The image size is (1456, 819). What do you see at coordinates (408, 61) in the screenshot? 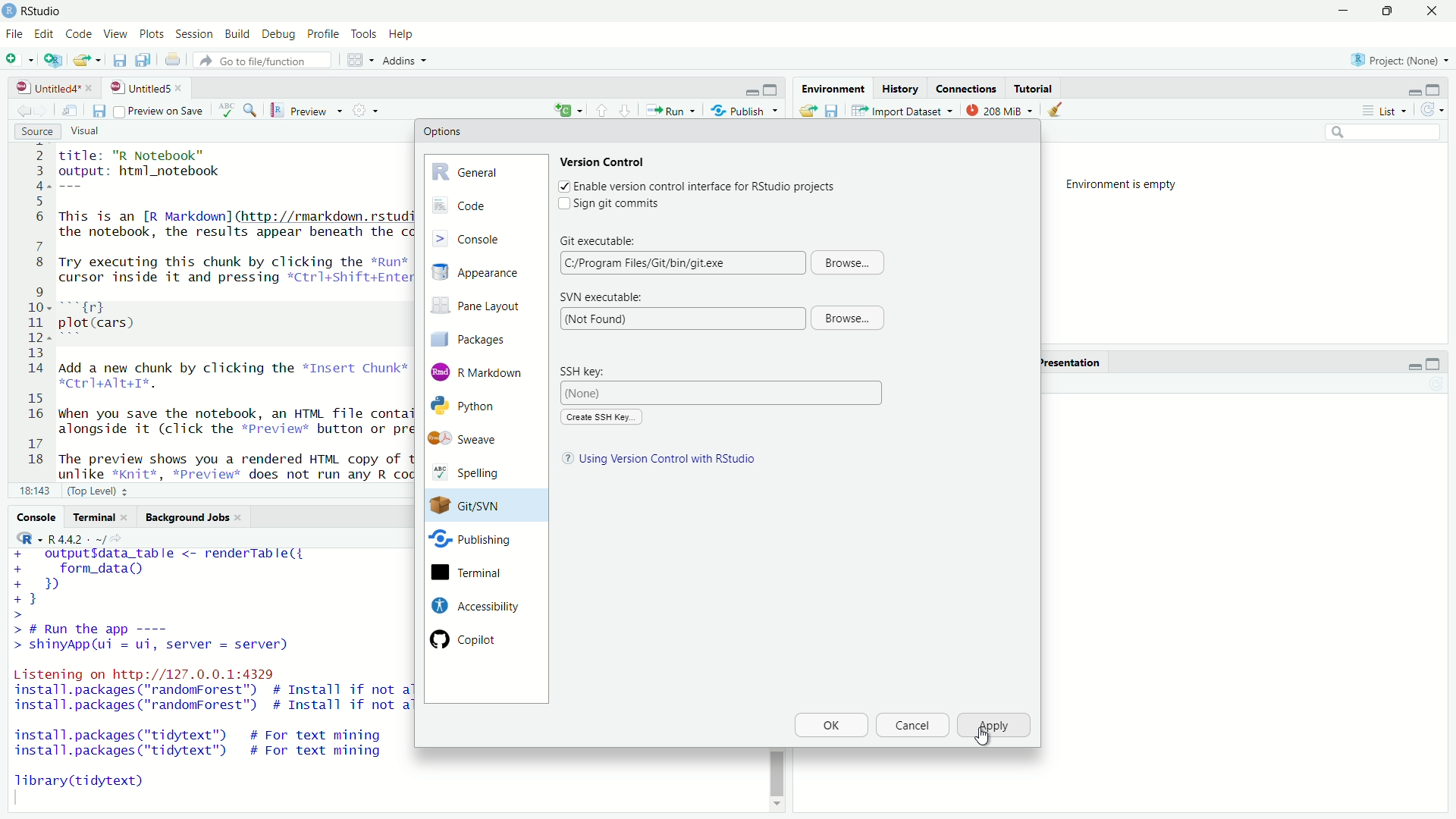
I see `Addins` at bounding box center [408, 61].